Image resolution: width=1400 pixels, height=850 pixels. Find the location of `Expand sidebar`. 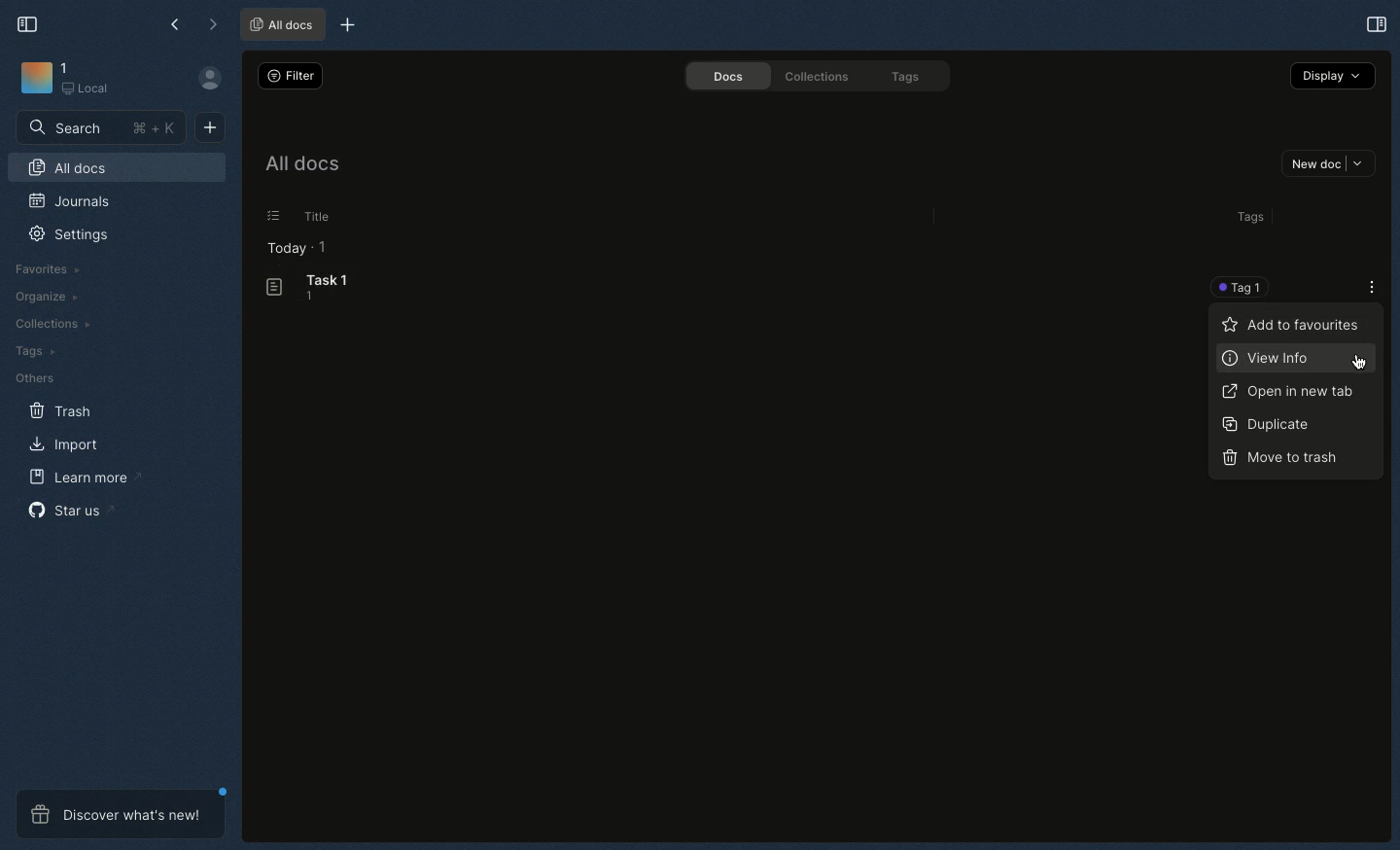

Expand sidebar is located at coordinates (1376, 23).